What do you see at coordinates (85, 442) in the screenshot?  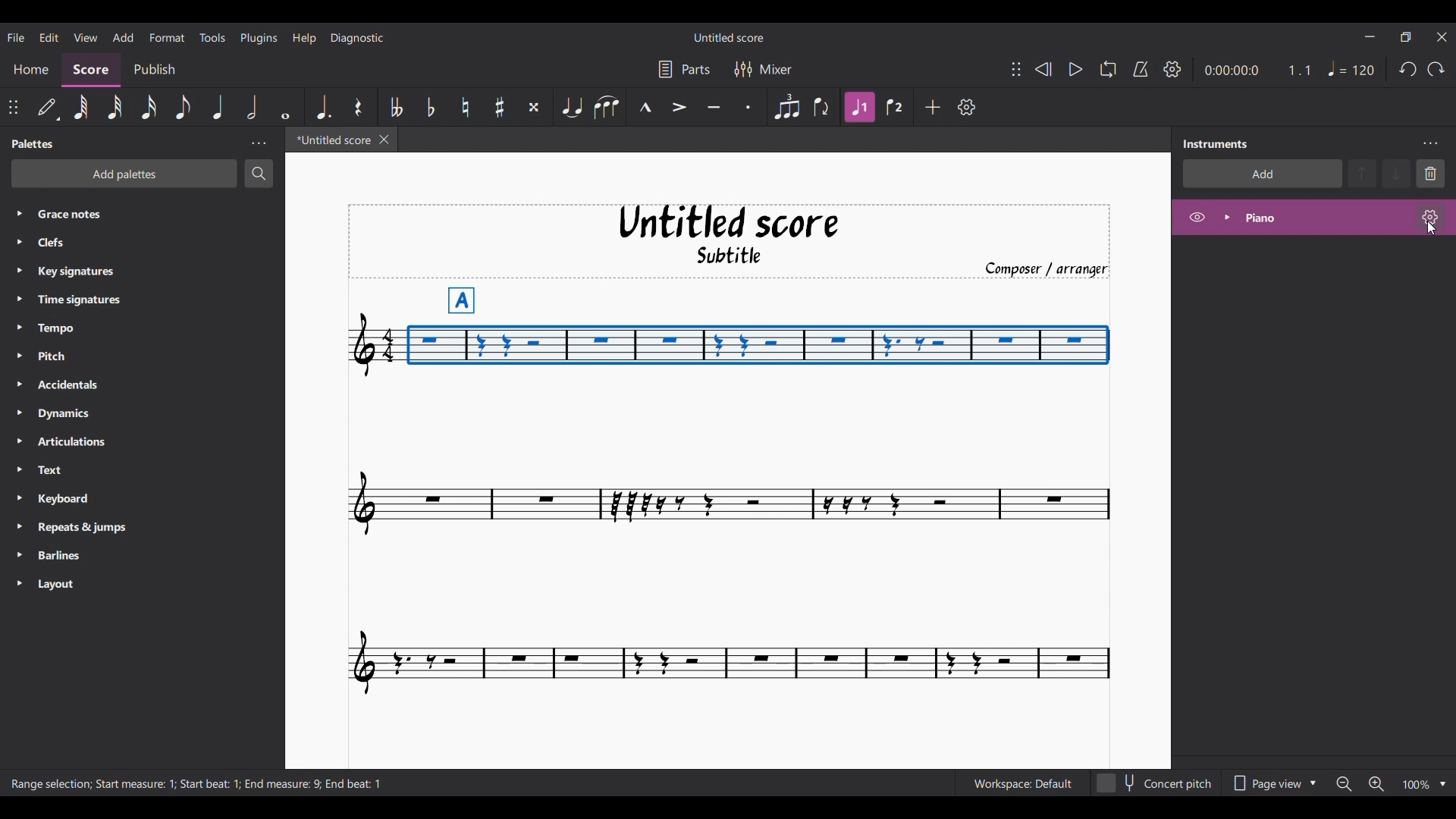 I see `Articulations` at bounding box center [85, 442].